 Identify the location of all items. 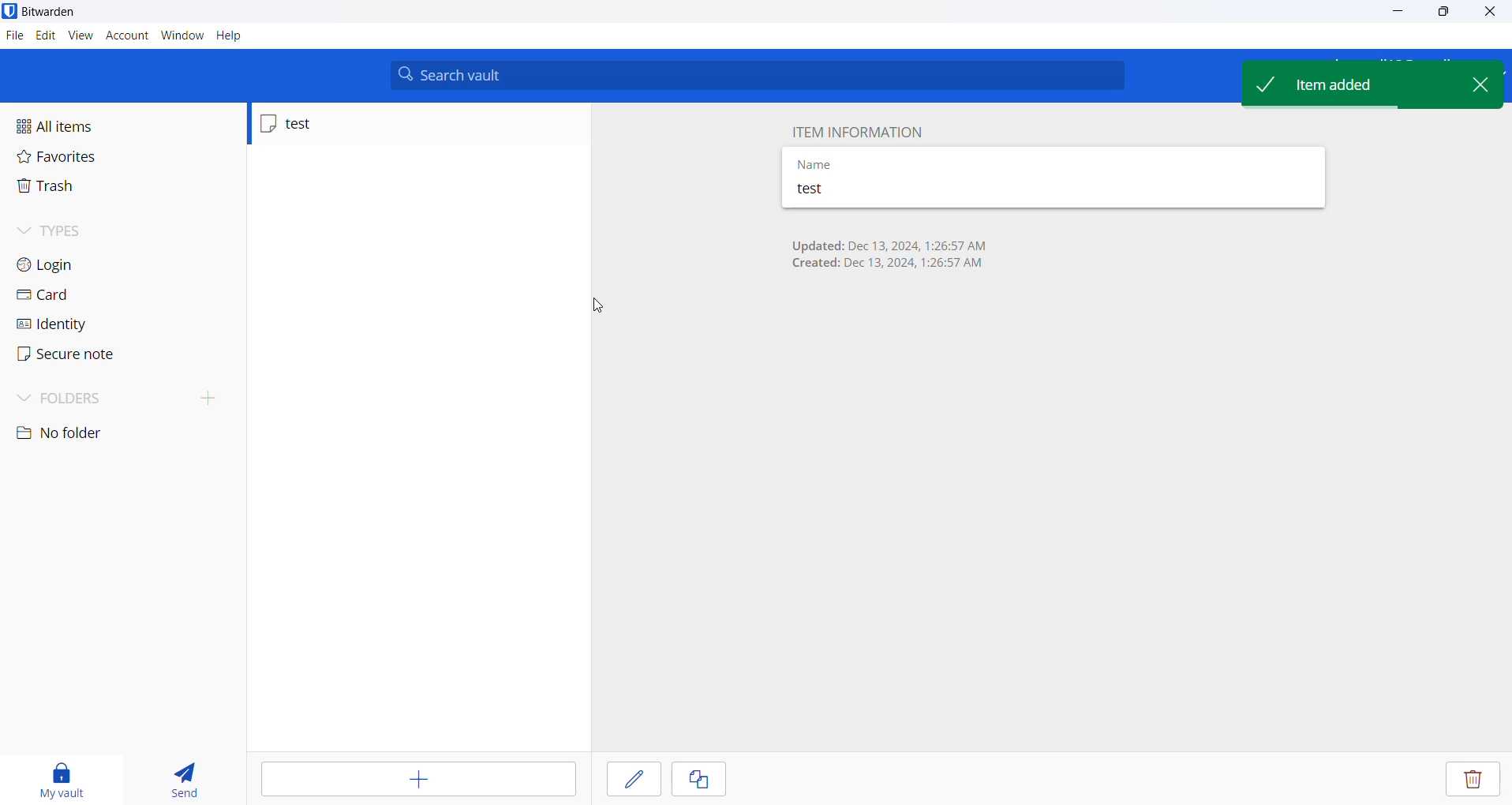
(88, 127).